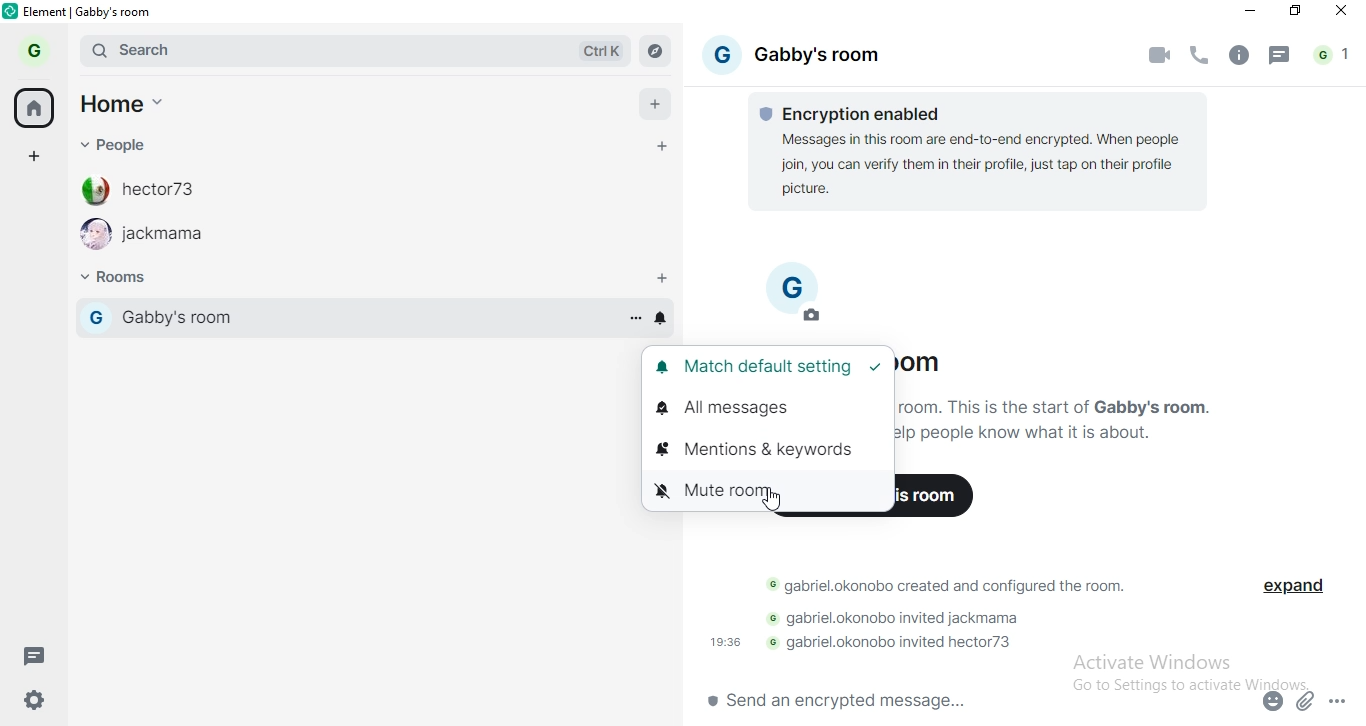  Describe the element at coordinates (169, 192) in the screenshot. I see `hecor73` at that location.